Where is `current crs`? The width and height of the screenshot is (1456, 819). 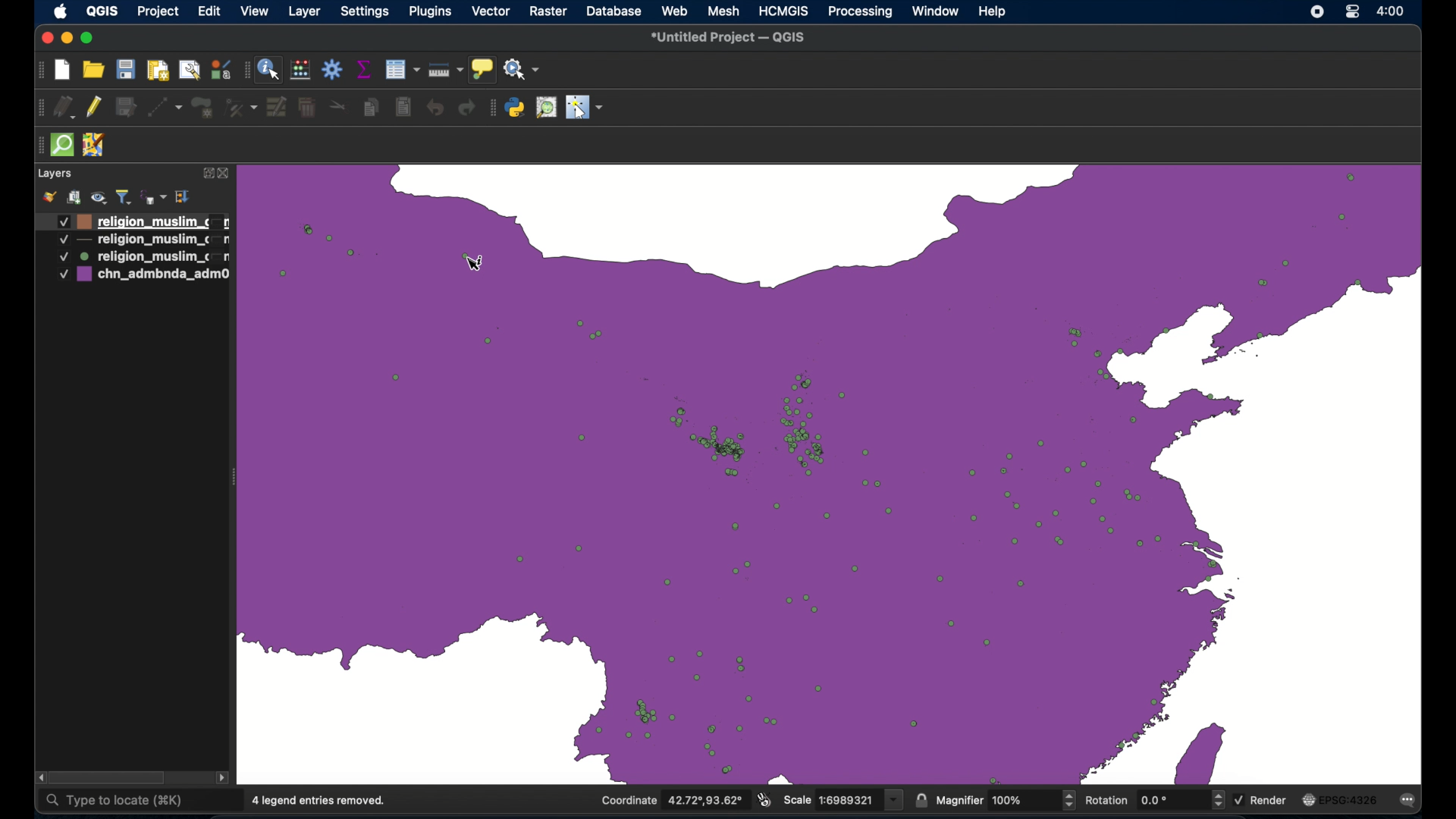
current crs is located at coordinates (1340, 799).